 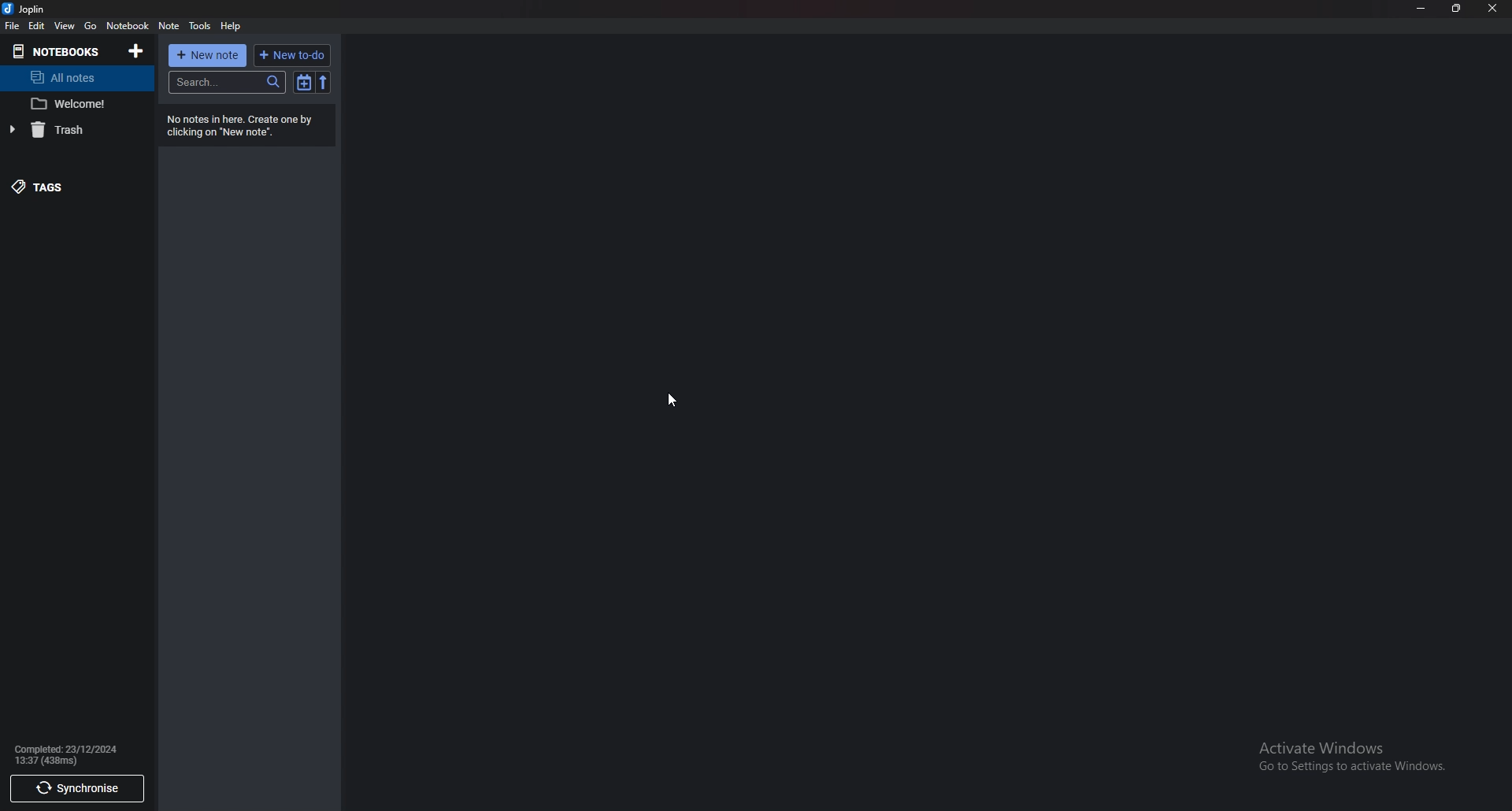 What do you see at coordinates (1458, 9) in the screenshot?
I see `Resize` at bounding box center [1458, 9].